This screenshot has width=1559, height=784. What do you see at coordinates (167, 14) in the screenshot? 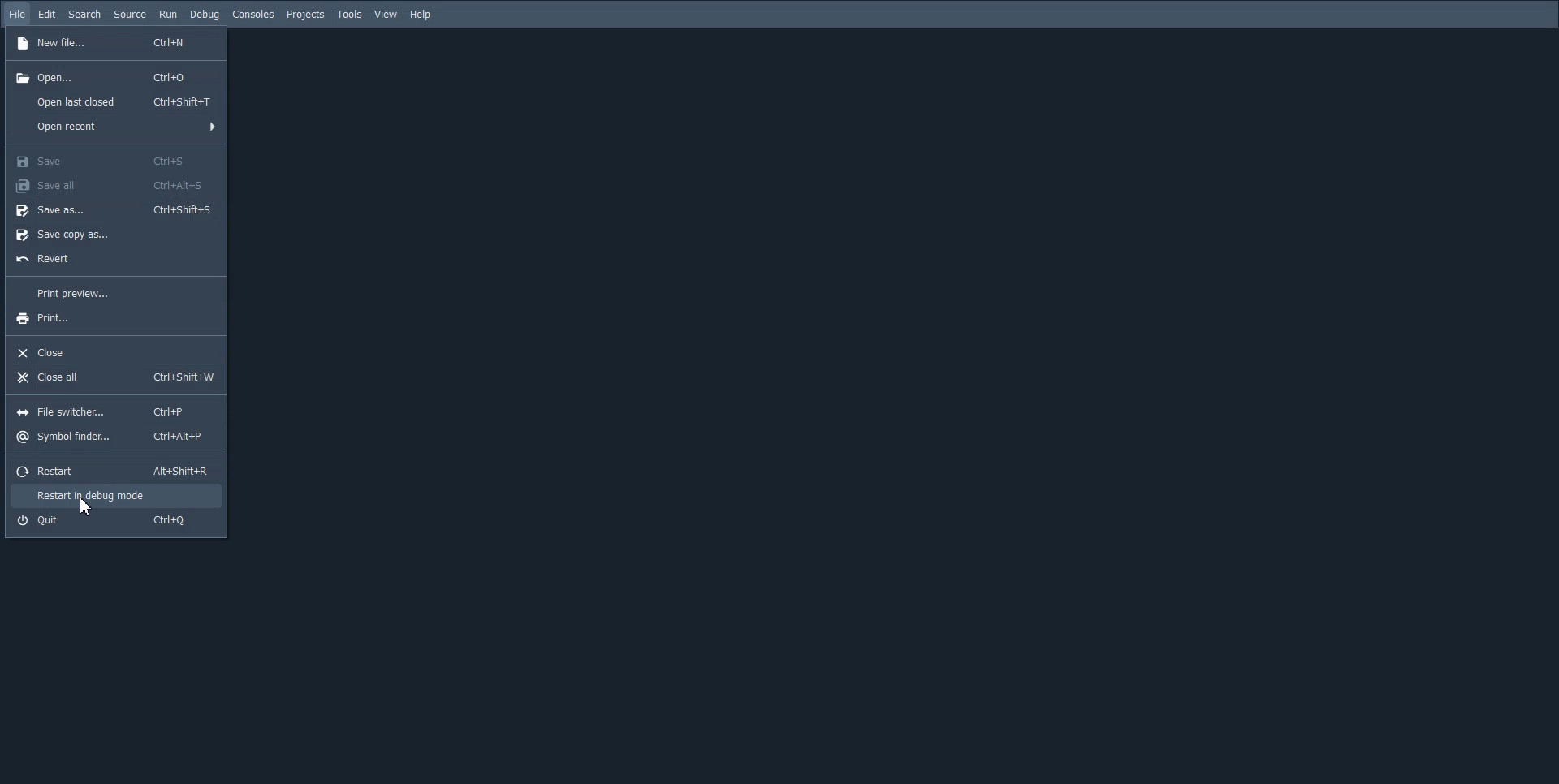
I see `Run` at bounding box center [167, 14].